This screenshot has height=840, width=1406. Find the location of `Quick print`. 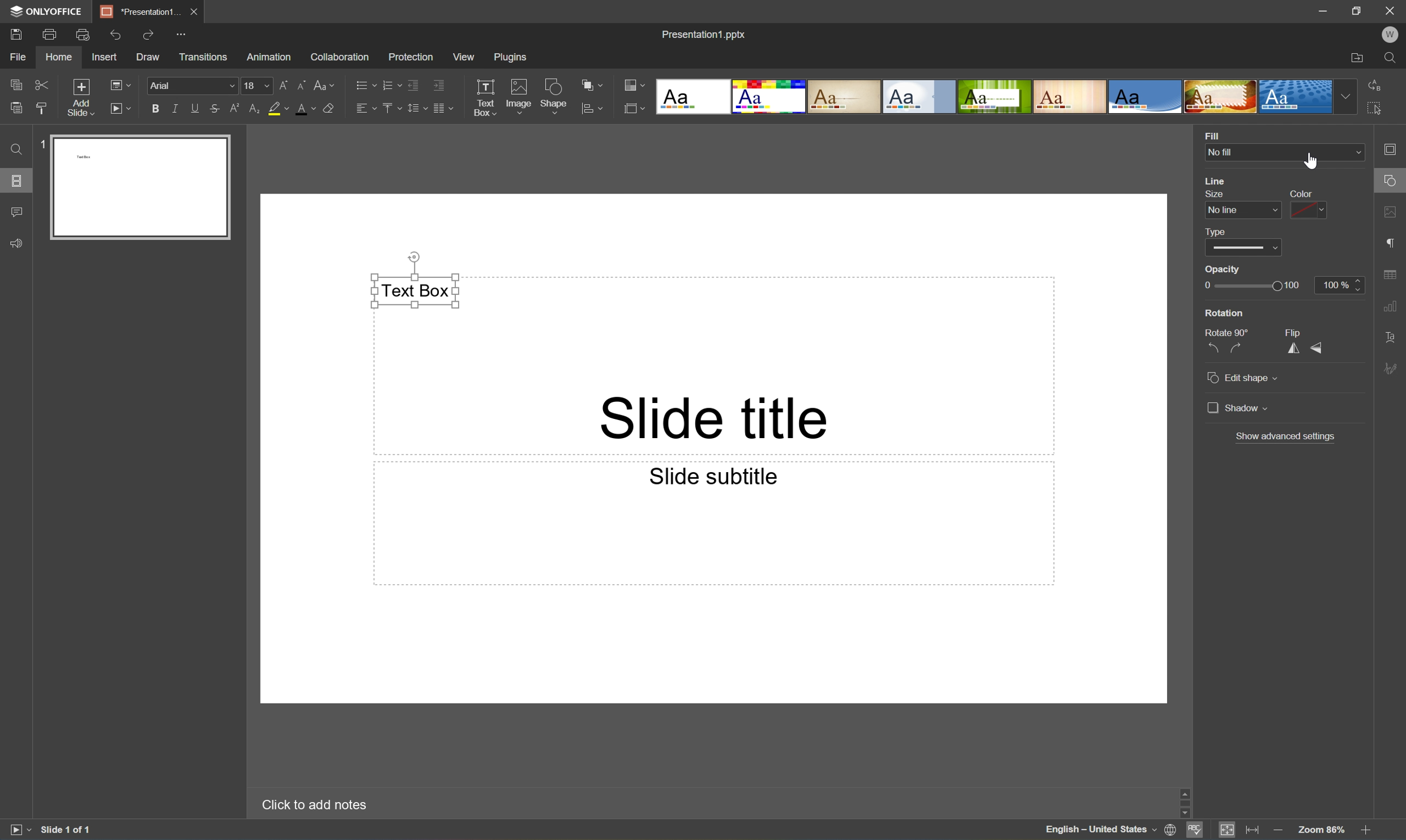

Quick print is located at coordinates (81, 36).